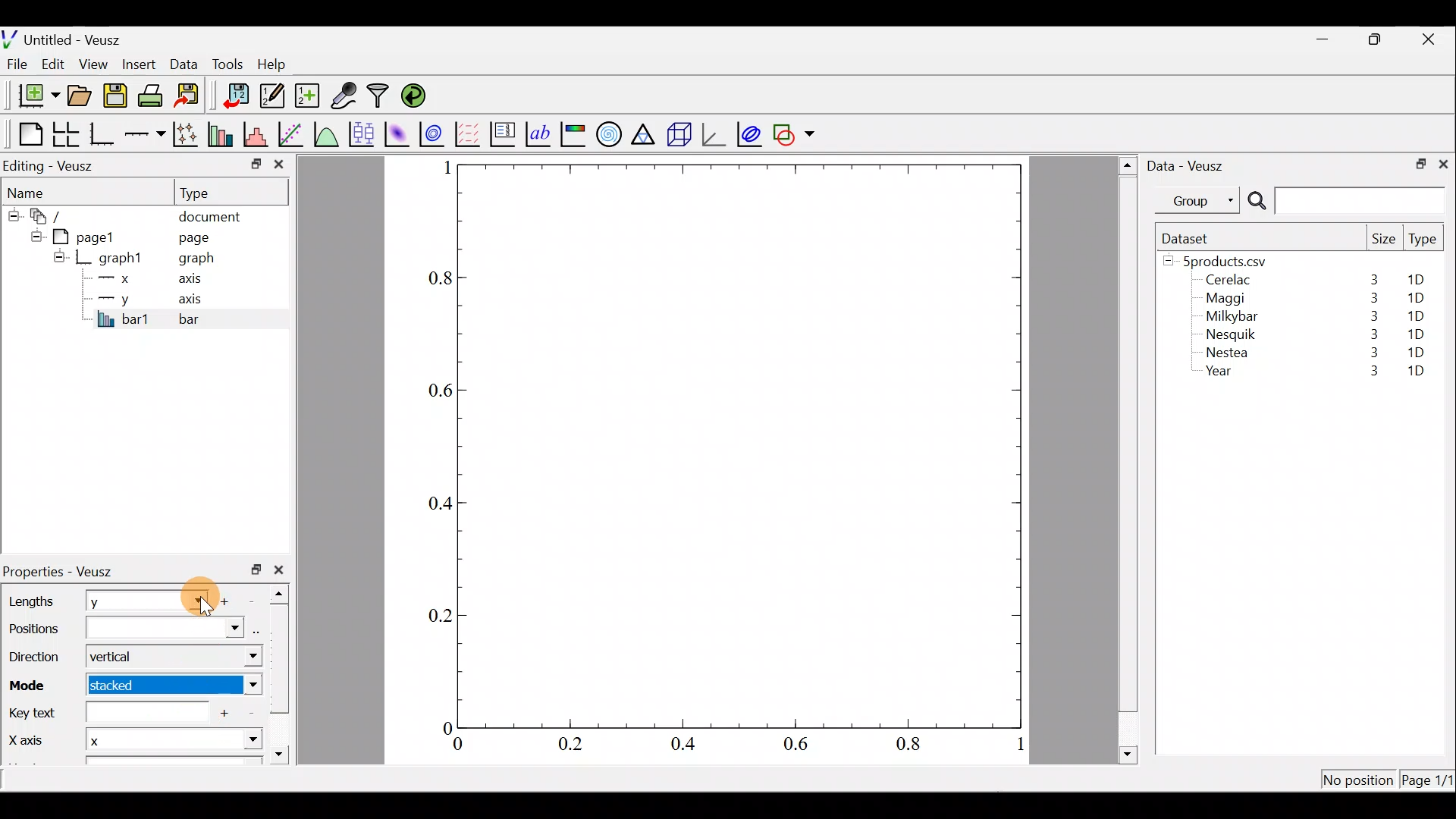  Describe the element at coordinates (196, 260) in the screenshot. I see `graph` at that location.